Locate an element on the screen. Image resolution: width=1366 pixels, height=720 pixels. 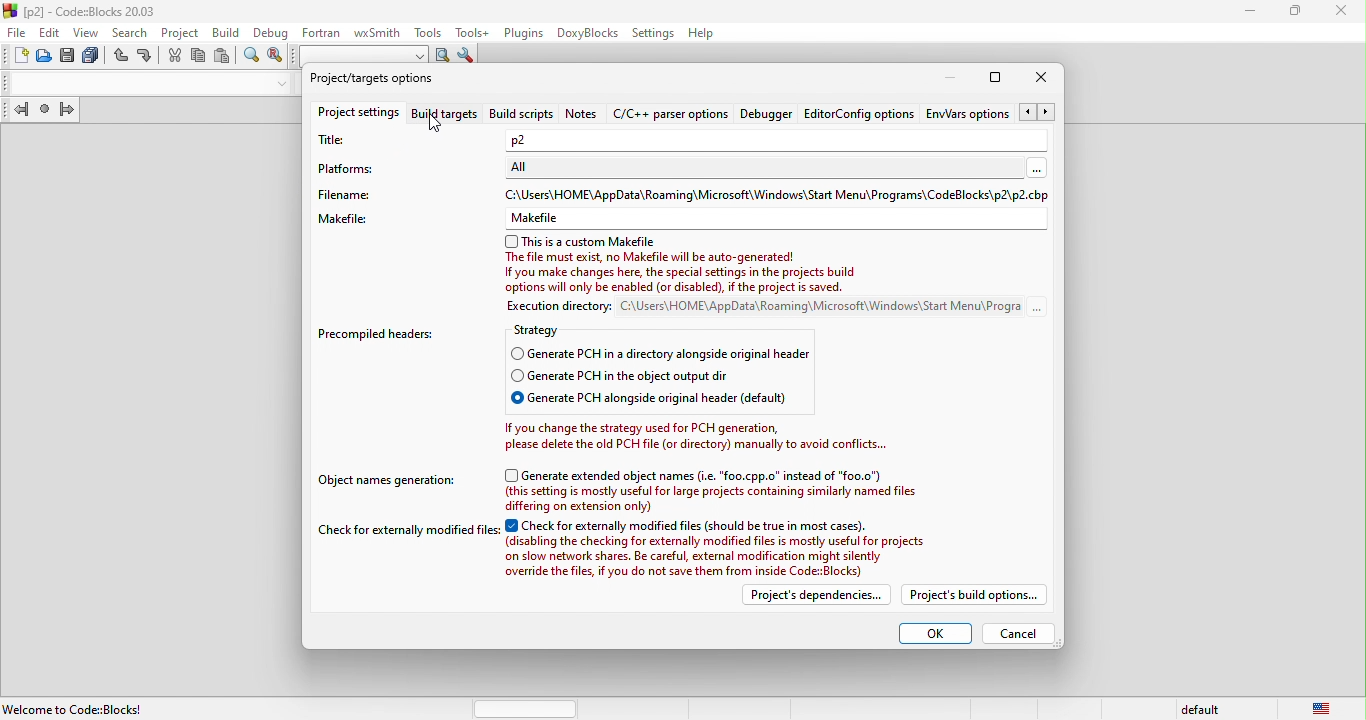
check for extermally modified files is located at coordinates (402, 535).